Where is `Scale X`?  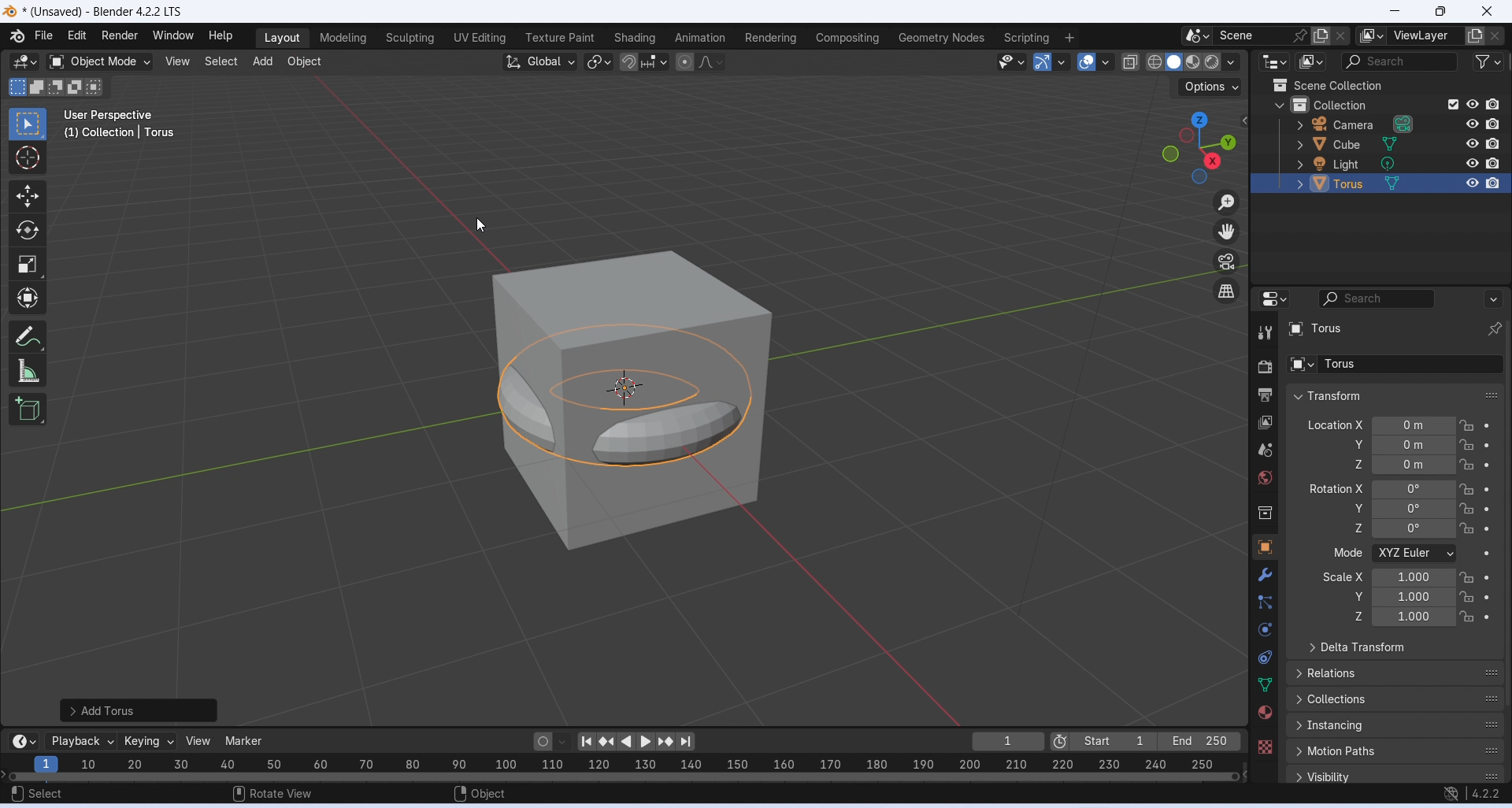 Scale X is located at coordinates (1432, 578).